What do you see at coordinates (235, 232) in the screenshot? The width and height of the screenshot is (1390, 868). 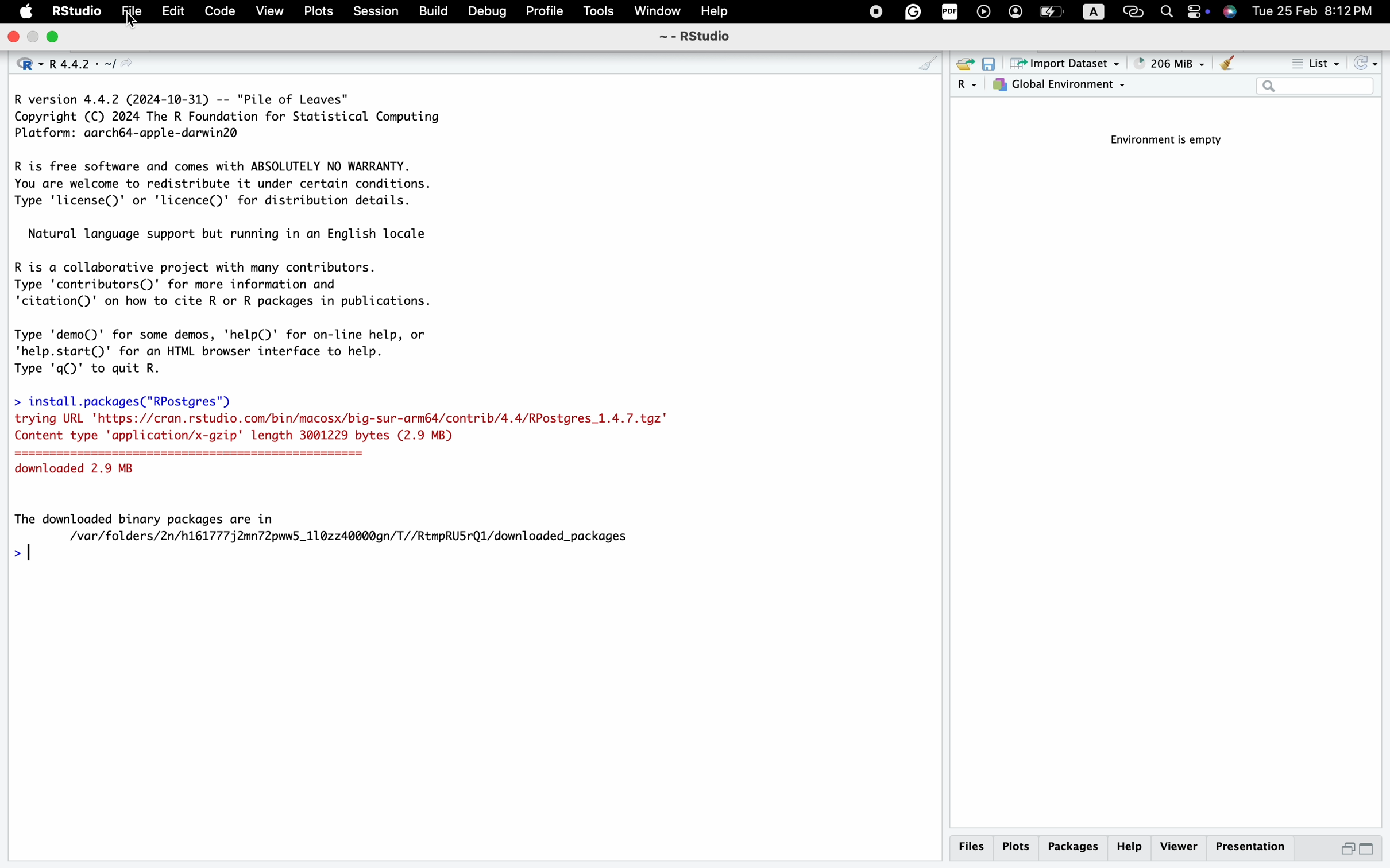 I see `description of support` at bounding box center [235, 232].